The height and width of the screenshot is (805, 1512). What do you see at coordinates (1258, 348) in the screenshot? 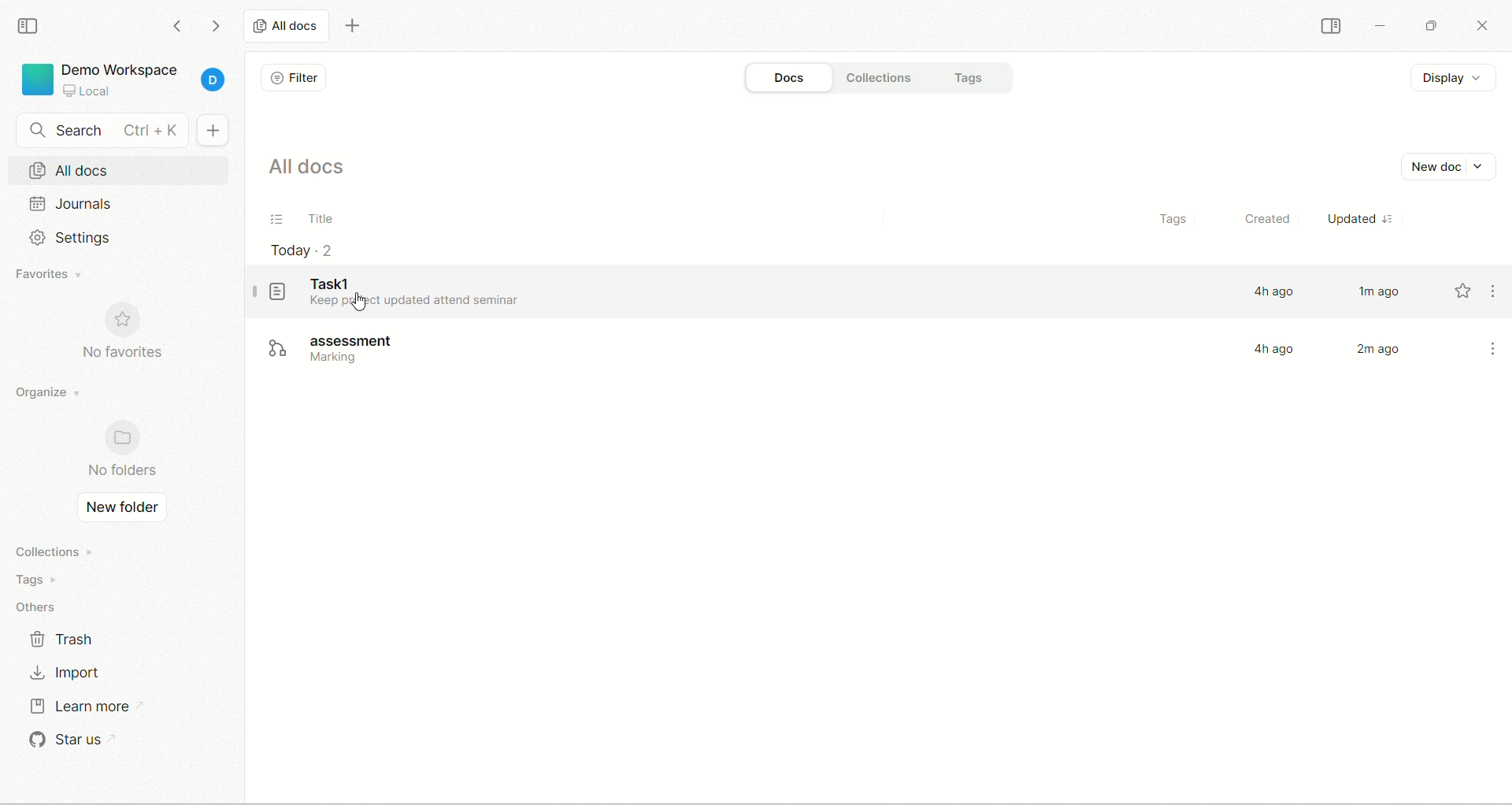
I see `4h ago` at bounding box center [1258, 348].